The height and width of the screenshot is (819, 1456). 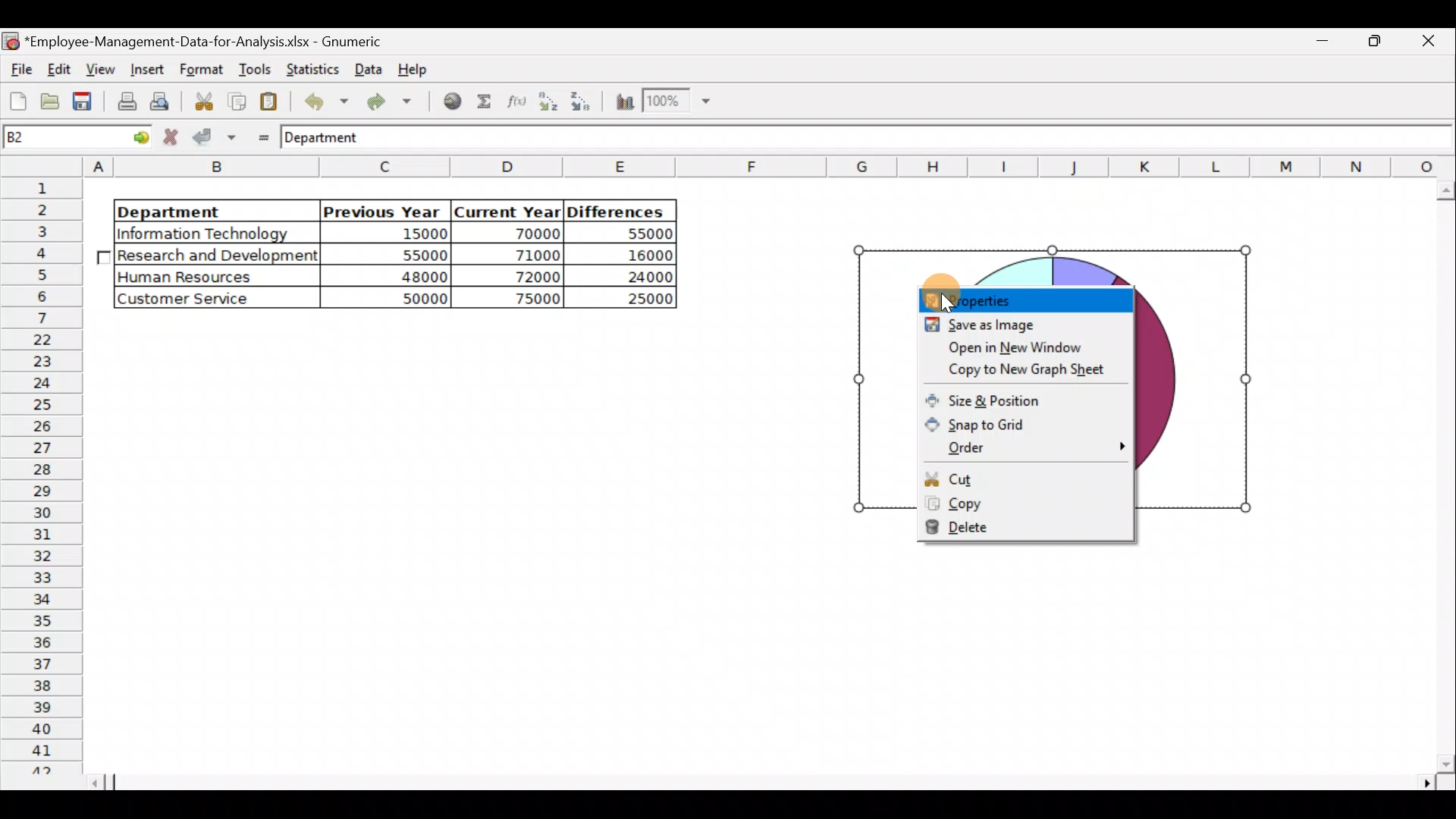 What do you see at coordinates (996, 527) in the screenshot?
I see `Delete` at bounding box center [996, 527].